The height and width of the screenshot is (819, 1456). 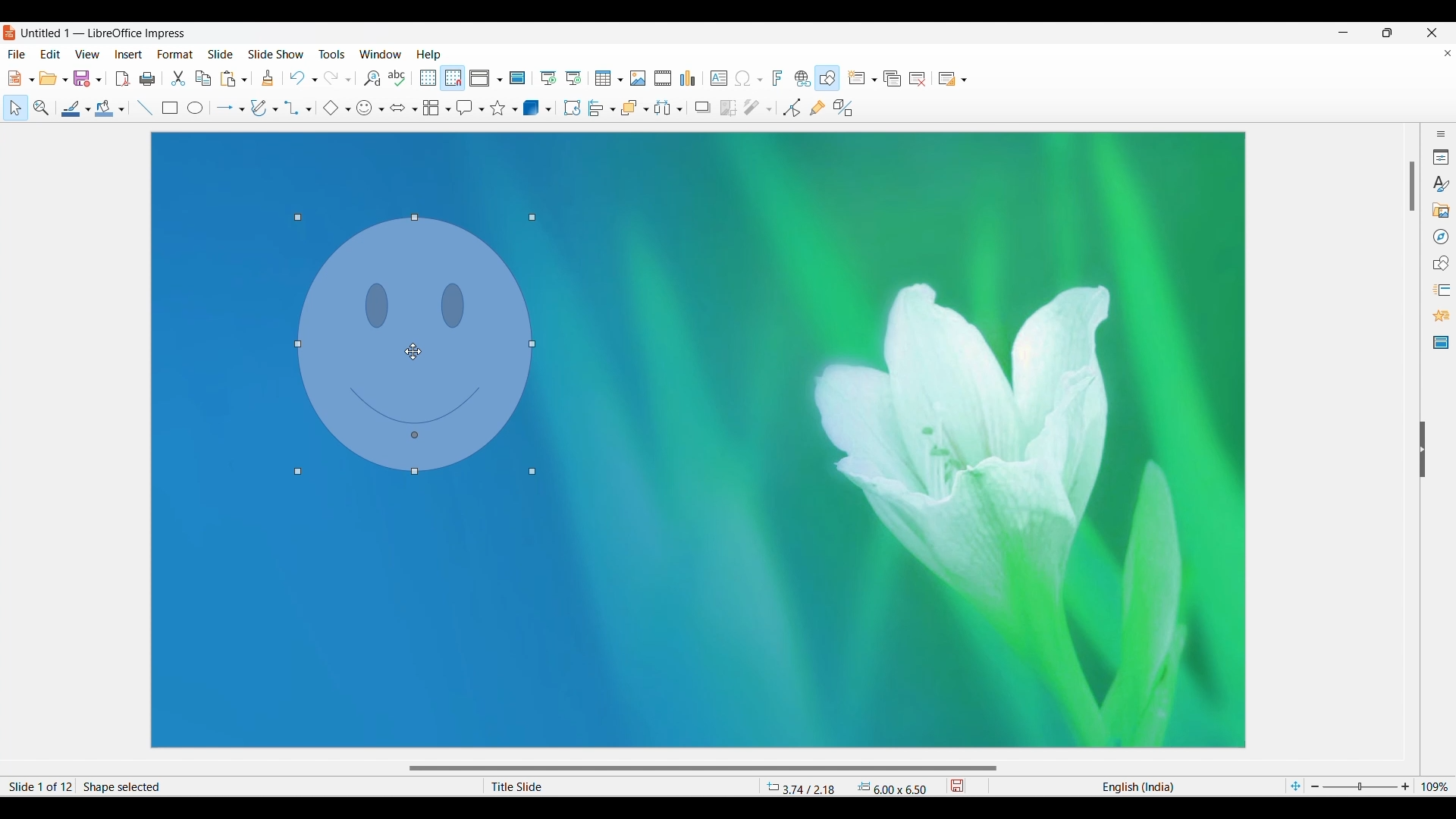 What do you see at coordinates (428, 78) in the screenshot?
I see `Display grid` at bounding box center [428, 78].